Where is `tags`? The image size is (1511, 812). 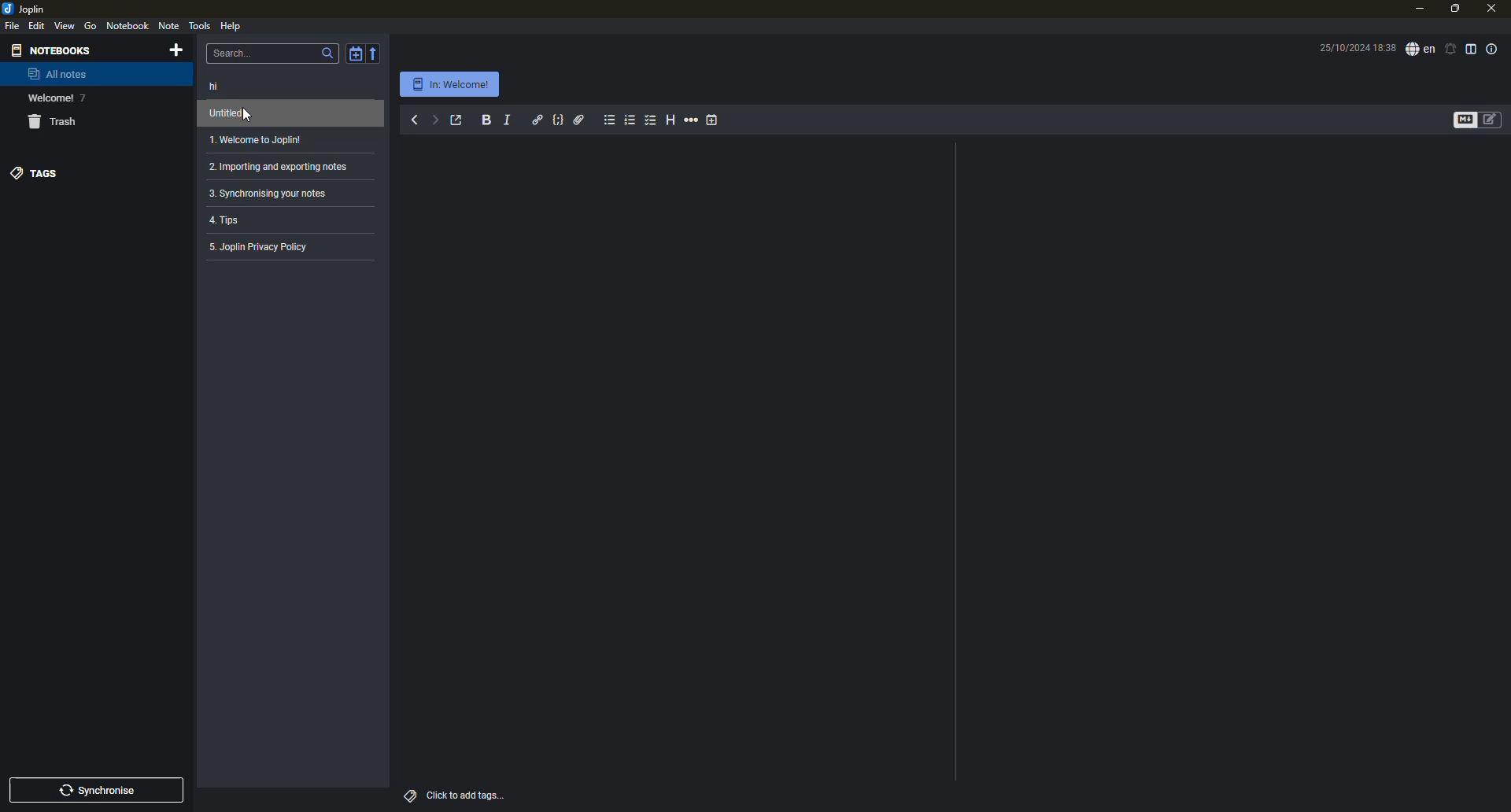
tags is located at coordinates (34, 172).